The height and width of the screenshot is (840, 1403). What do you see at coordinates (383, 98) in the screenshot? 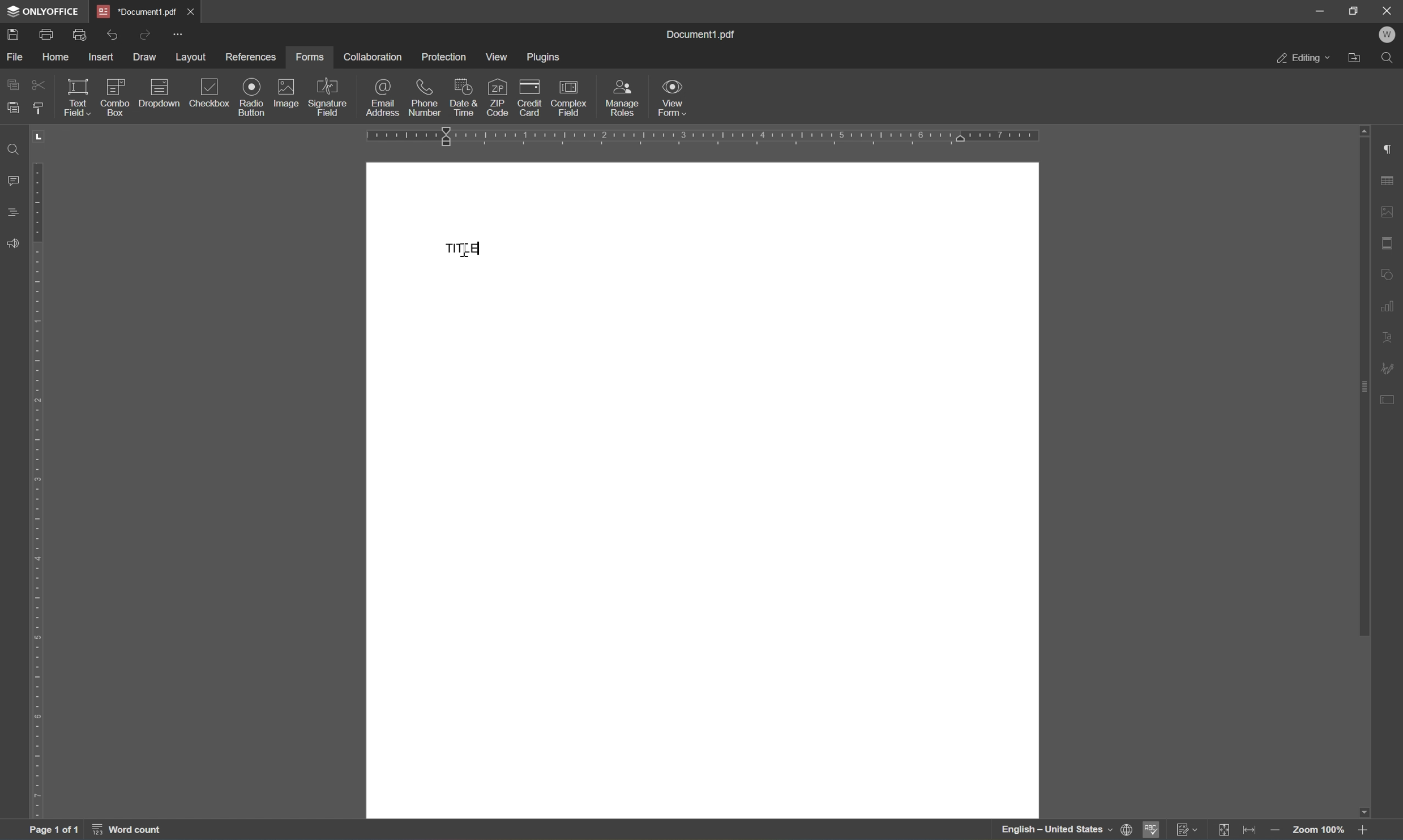
I see `email address` at bounding box center [383, 98].